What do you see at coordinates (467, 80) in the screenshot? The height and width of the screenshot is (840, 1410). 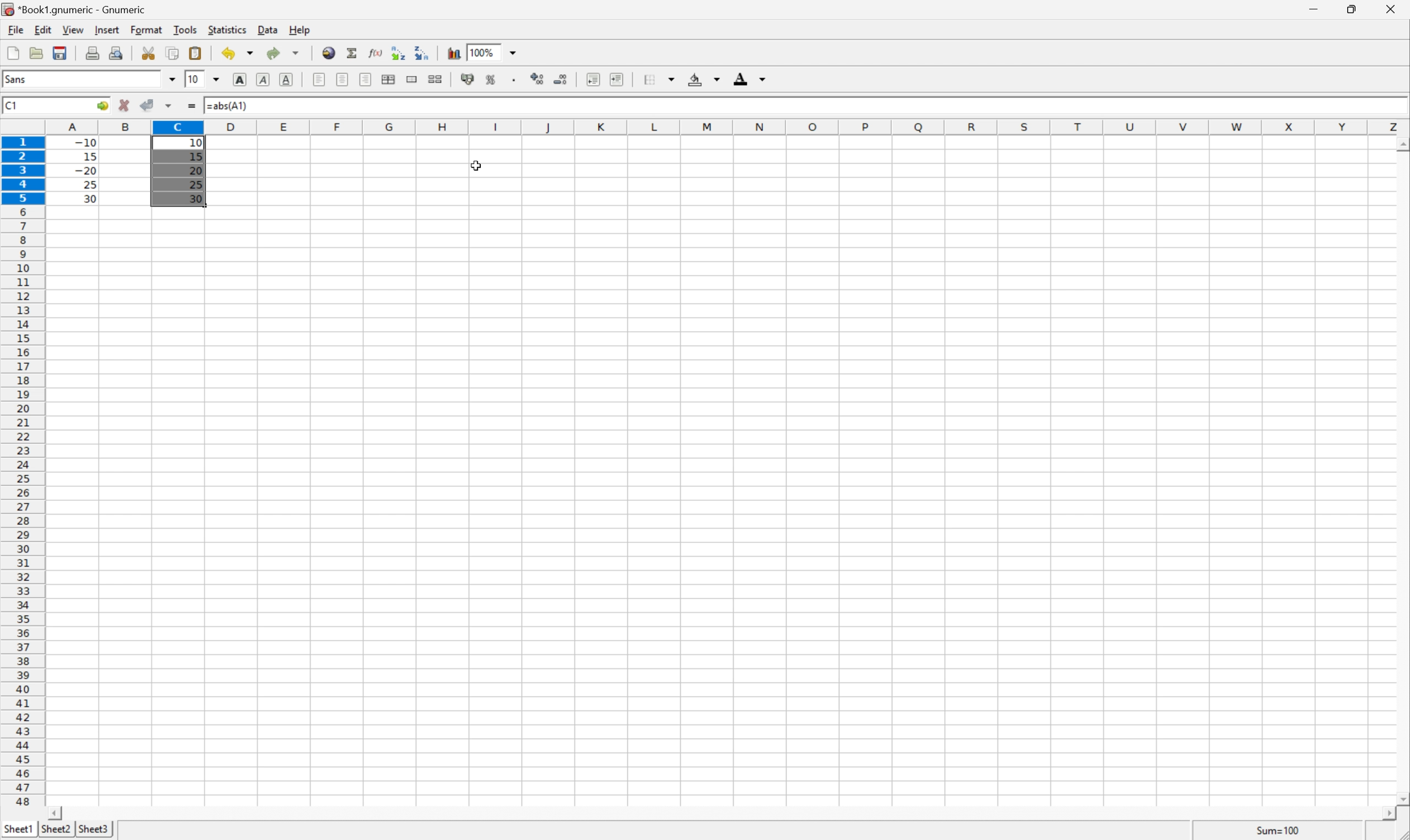 I see `Format the selection as accounting` at bounding box center [467, 80].